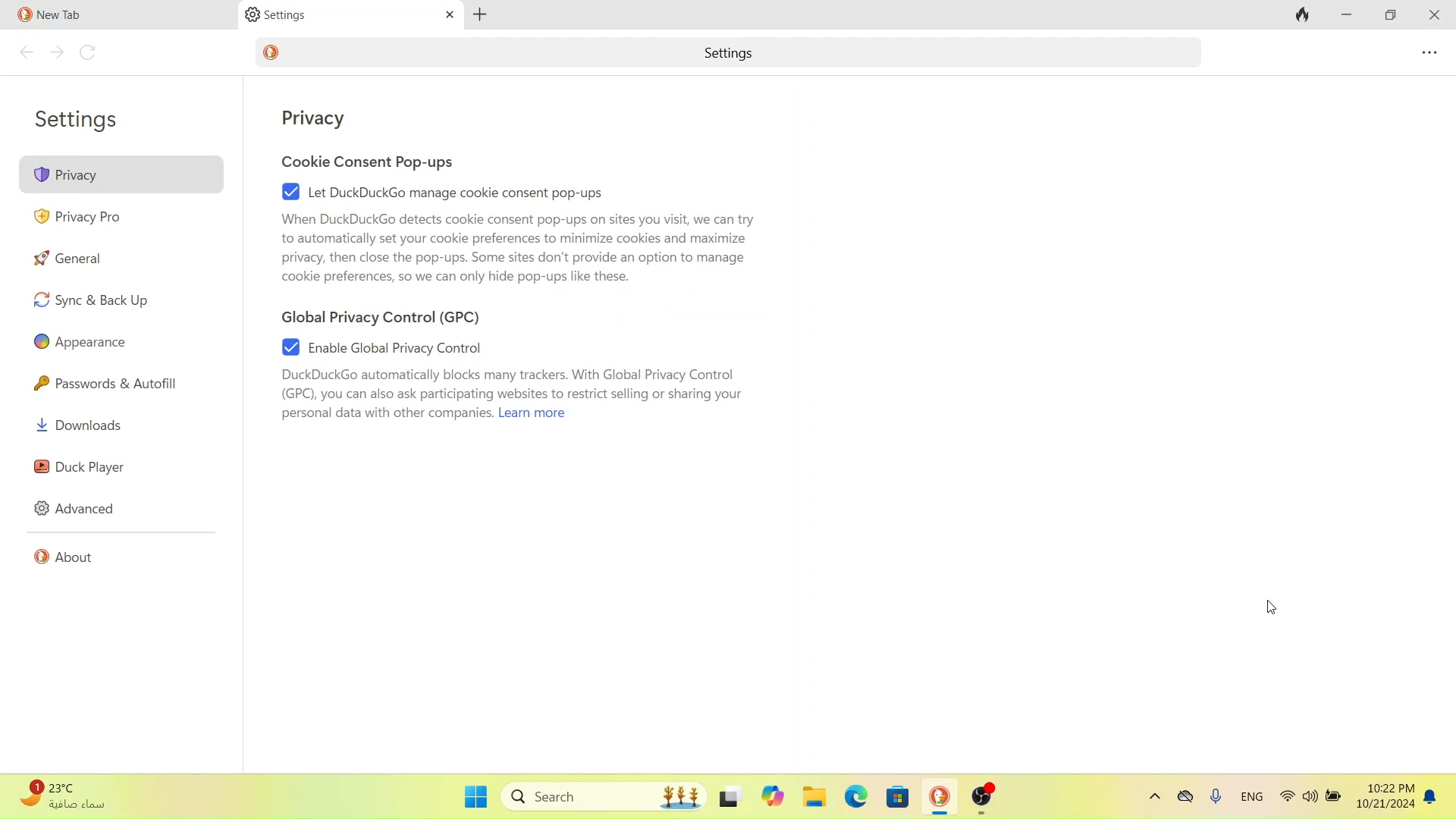  I want to click on Enable Global Privacy Control, so click(414, 349).